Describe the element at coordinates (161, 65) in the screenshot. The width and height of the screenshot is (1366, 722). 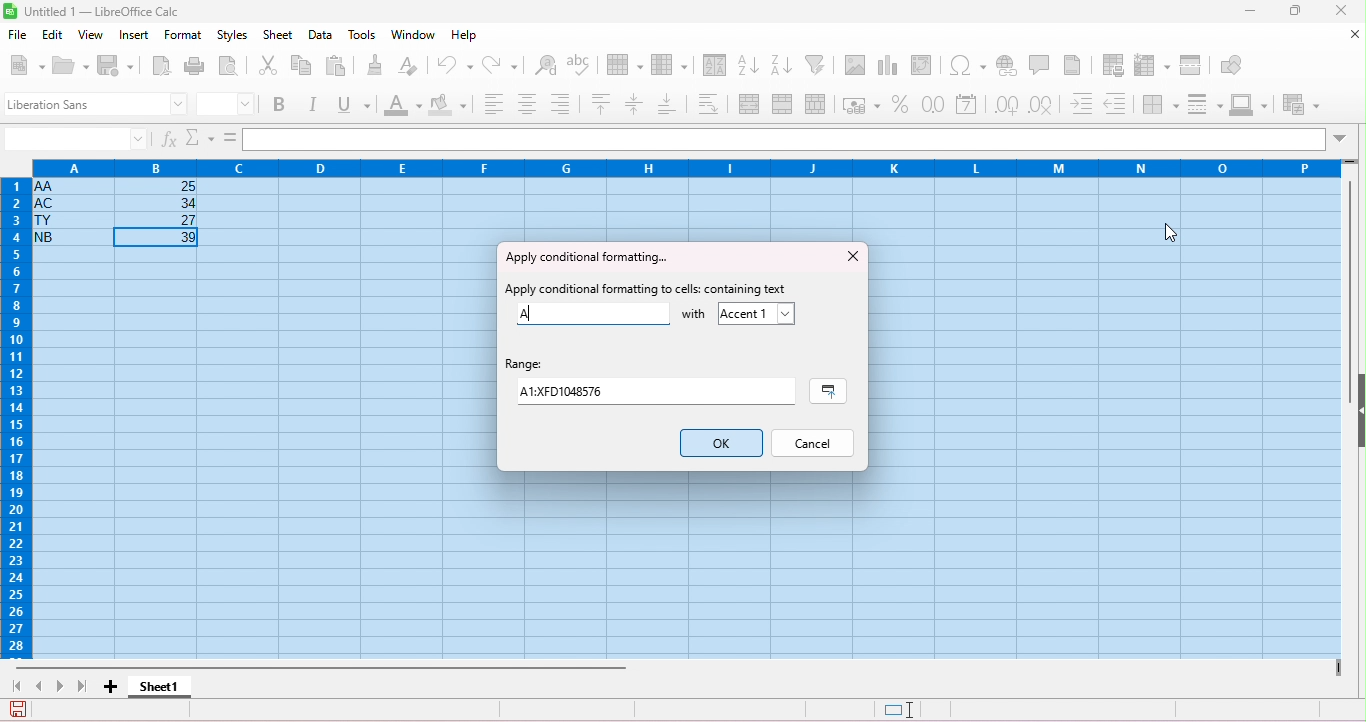
I see `export as pdf` at that location.